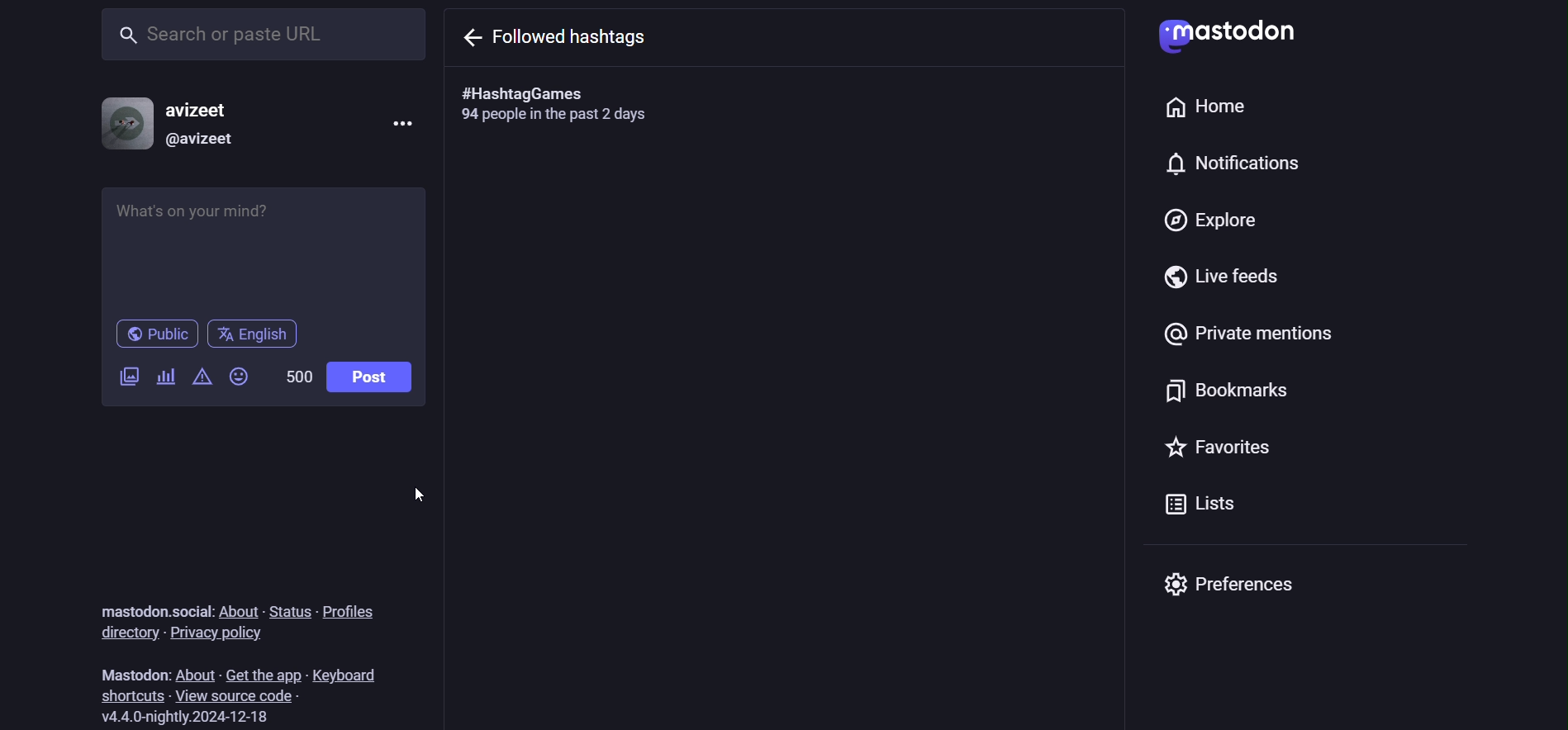  Describe the element at coordinates (1232, 168) in the screenshot. I see `notifications` at that location.